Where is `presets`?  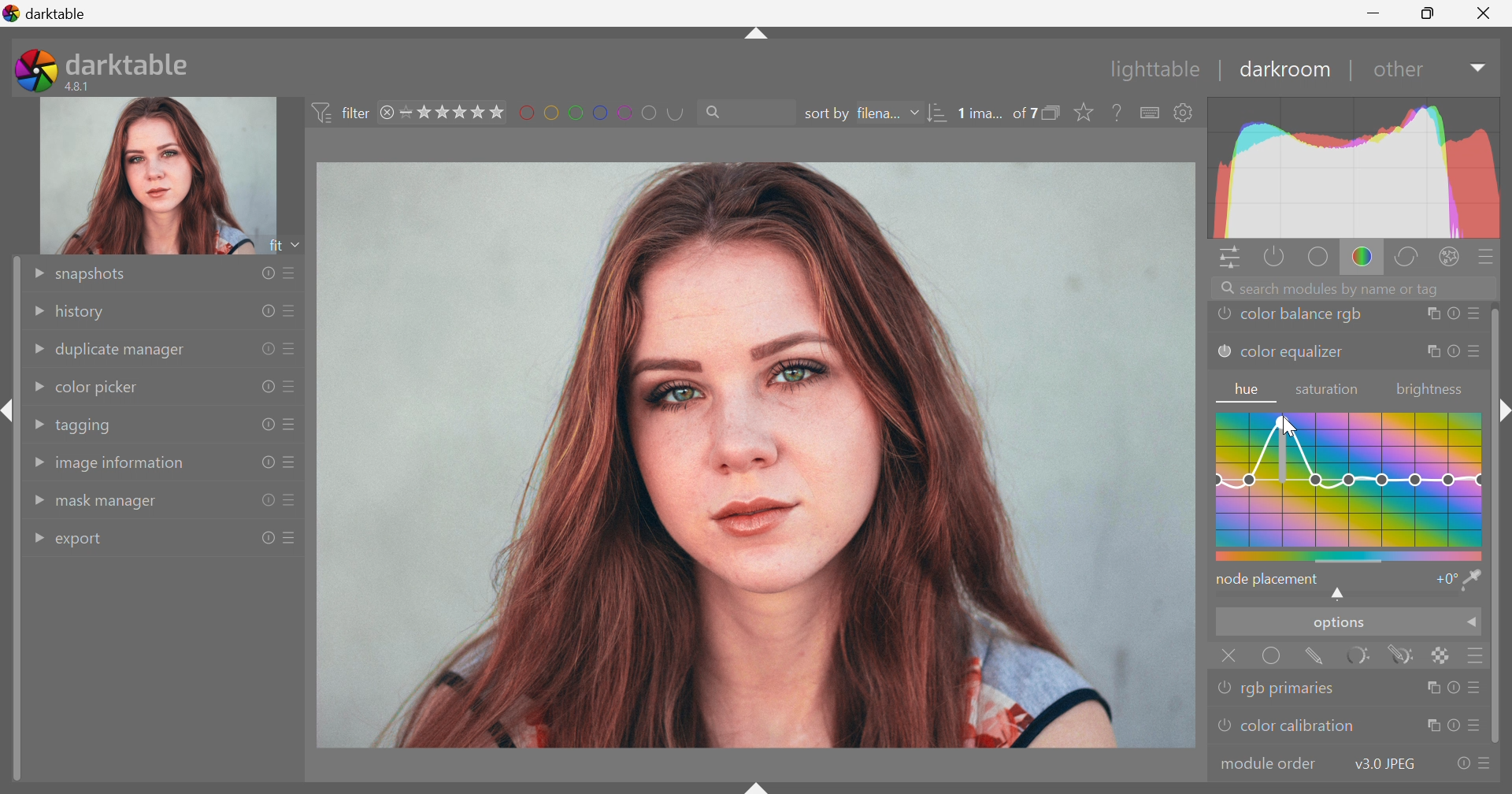 presets is located at coordinates (292, 389).